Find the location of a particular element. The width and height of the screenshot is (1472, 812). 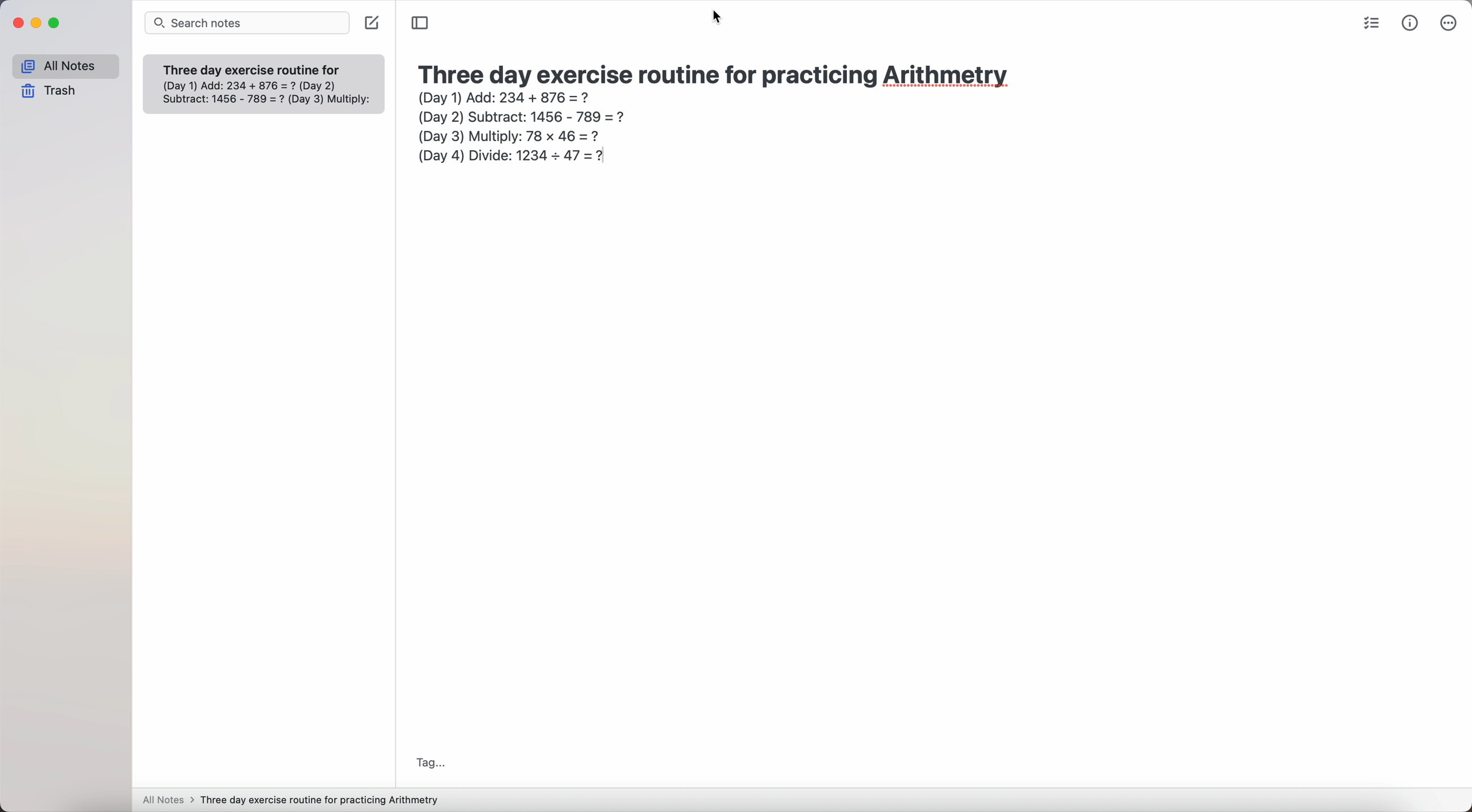

three day exercise routine for is located at coordinates (255, 68).